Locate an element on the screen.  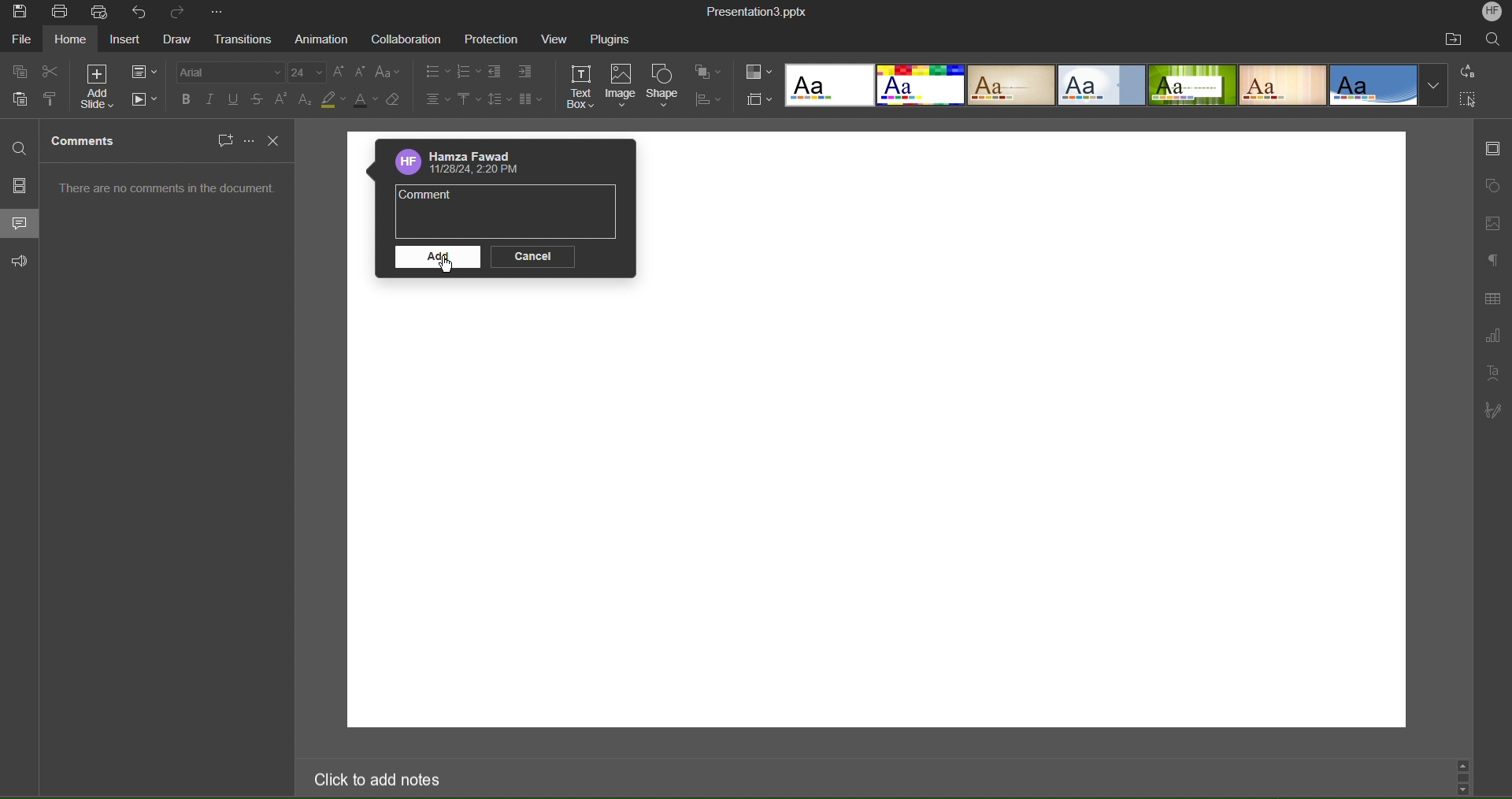
Text Art is located at coordinates (1492, 373).